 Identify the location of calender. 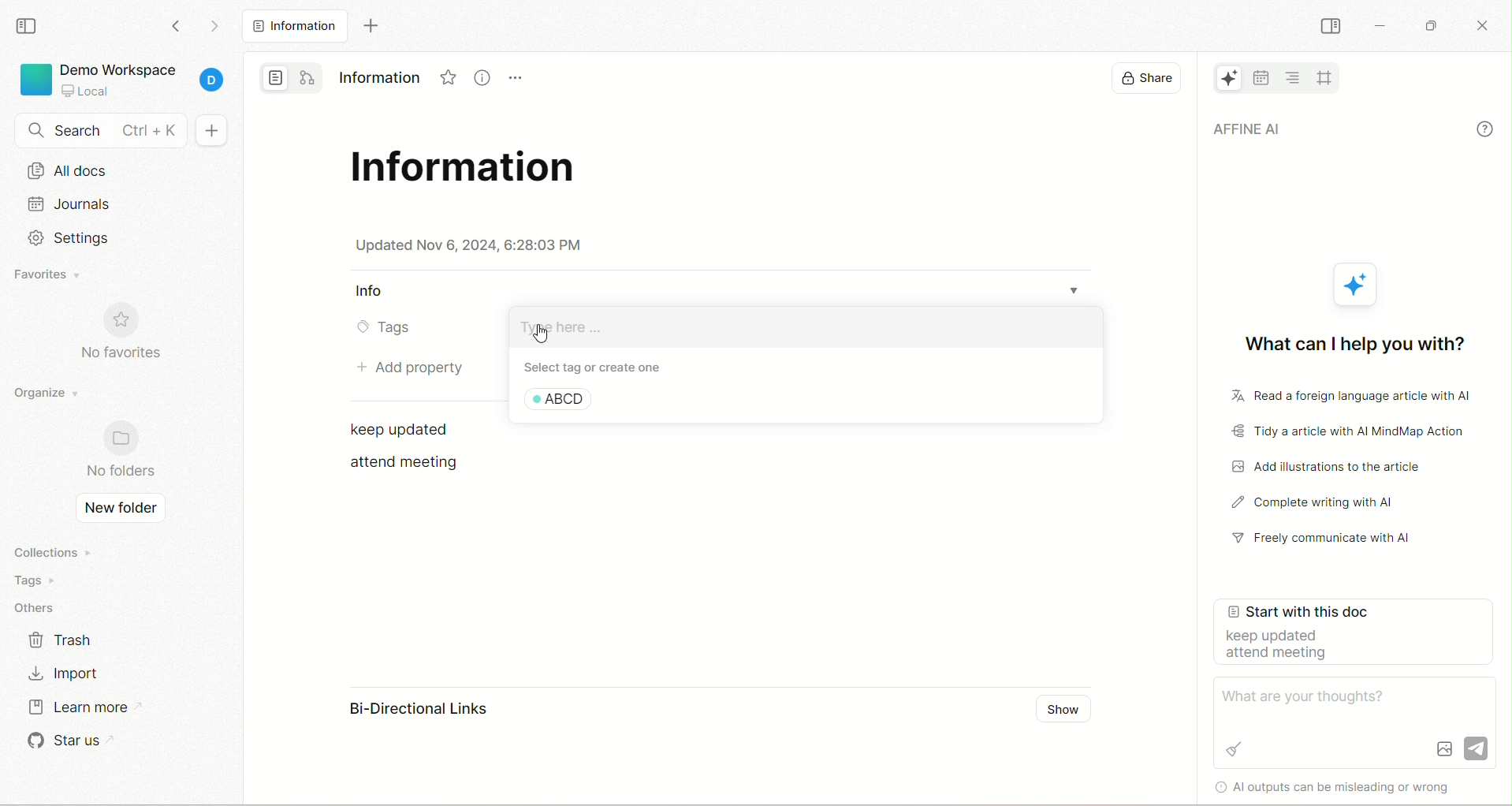
(1261, 77).